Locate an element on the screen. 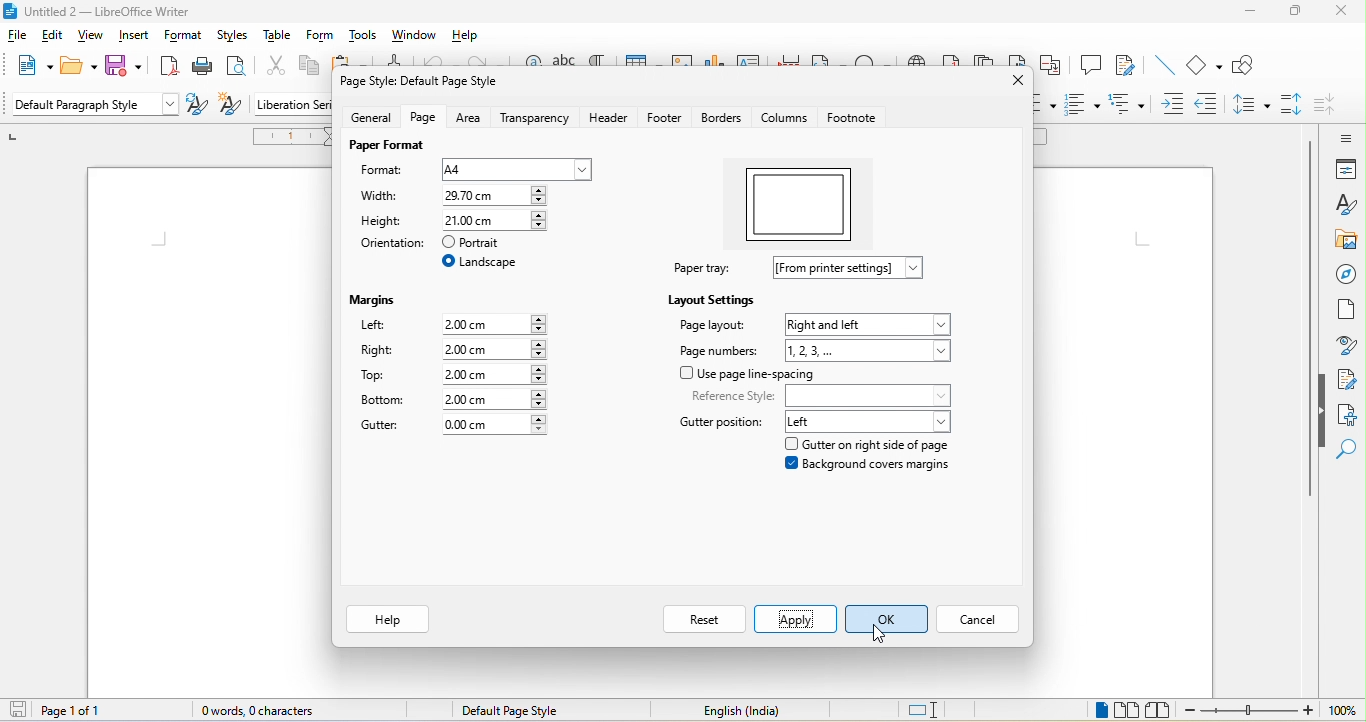 This screenshot has height=722, width=1366. increase indent is located at coordinates (1175, 104).